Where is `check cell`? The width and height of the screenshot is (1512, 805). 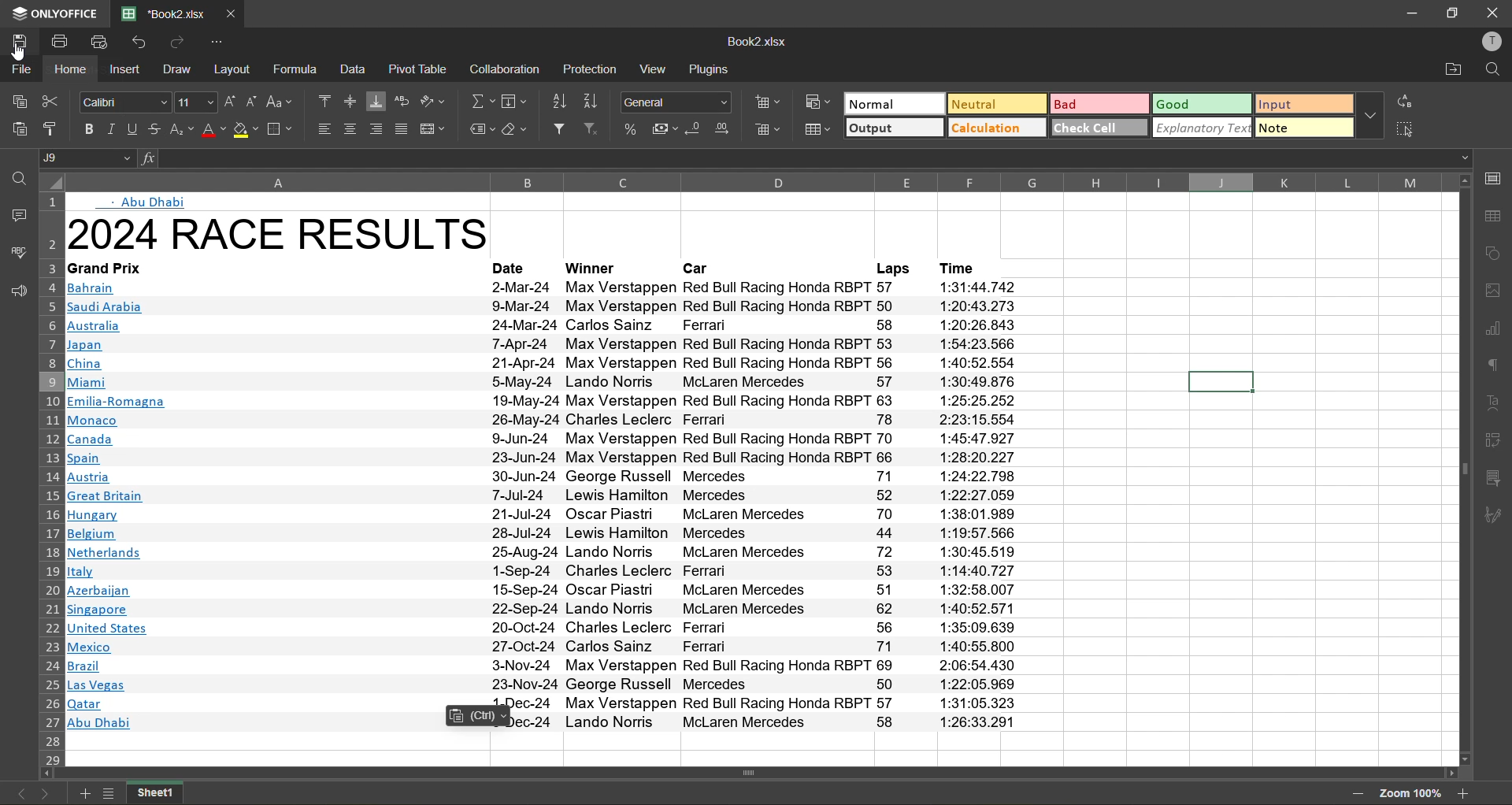
check cell is located at coordinates (1100, 128).